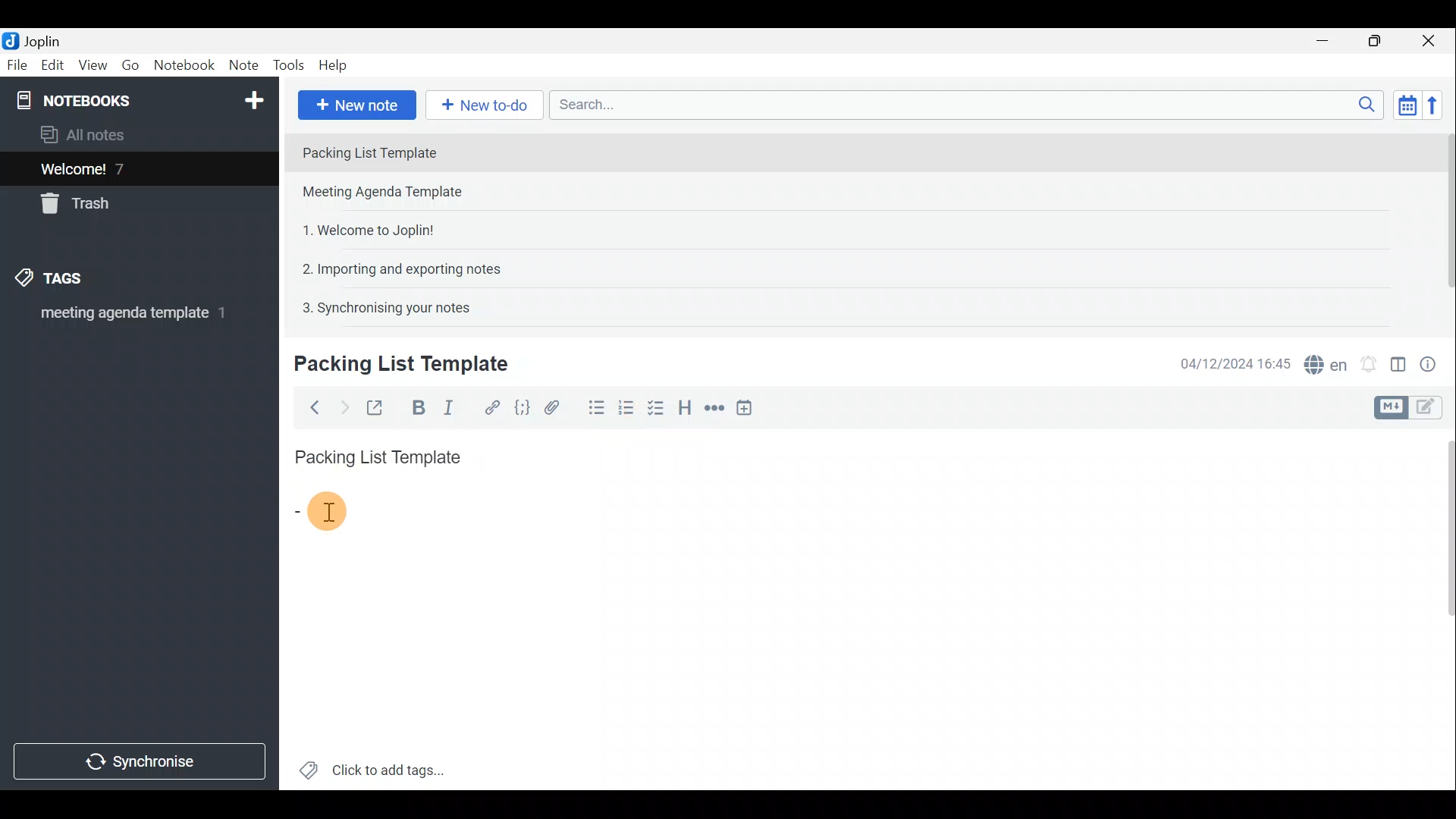 Image resolution: width=1456 pixels, height=819 pixels. Describe the element at coordinates (130, 318) in the screenshot. I see `meeting agenda template` at that location.